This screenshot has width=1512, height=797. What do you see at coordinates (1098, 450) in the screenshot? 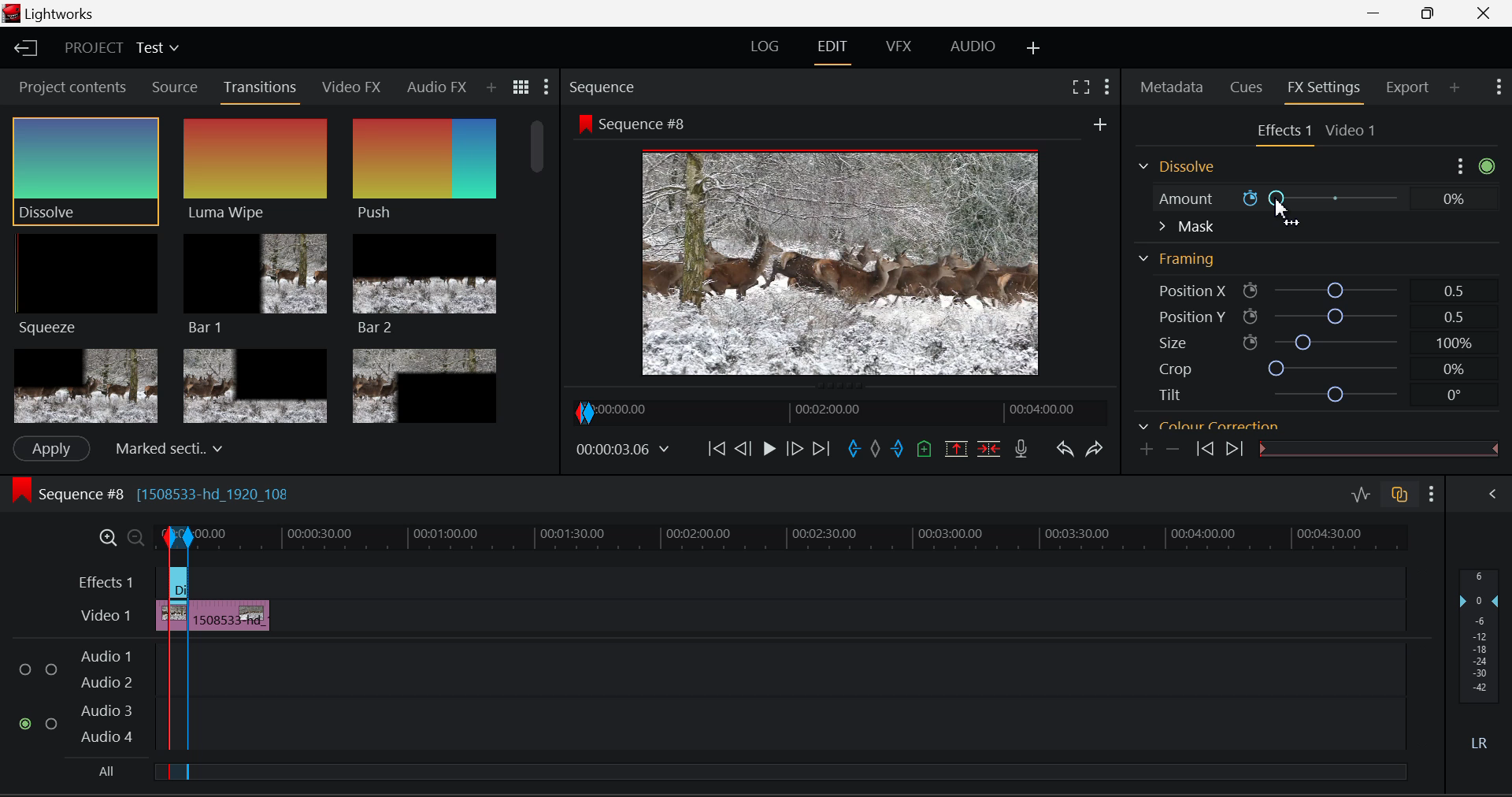
I see `Redo` at bounding box center [1098, 450].